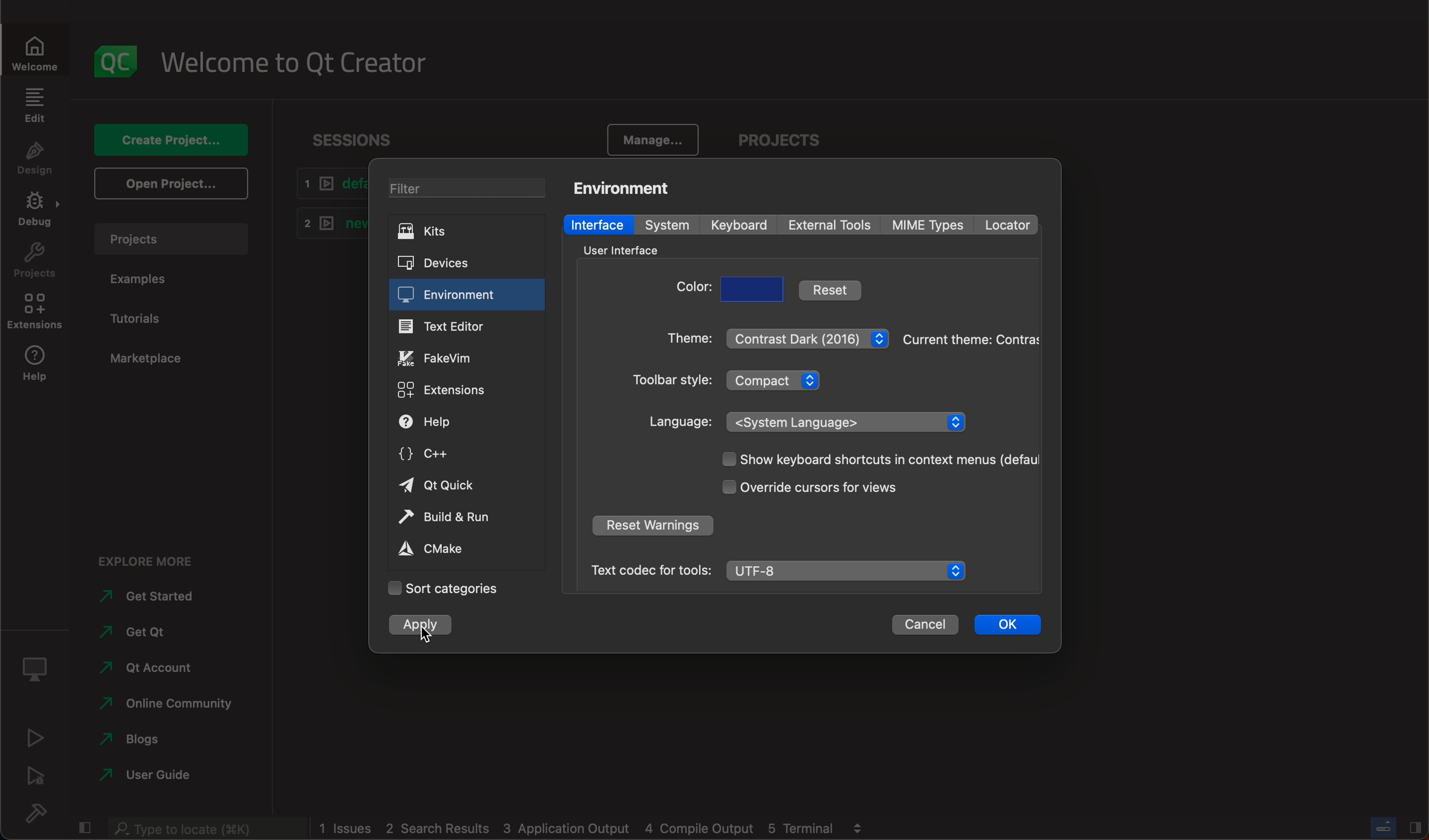 The height and width of the screenshot is (840, 1429). What do you see at coordinates (168, 701) in the screenshot?
I see `online` at bounding box center [168, 701].